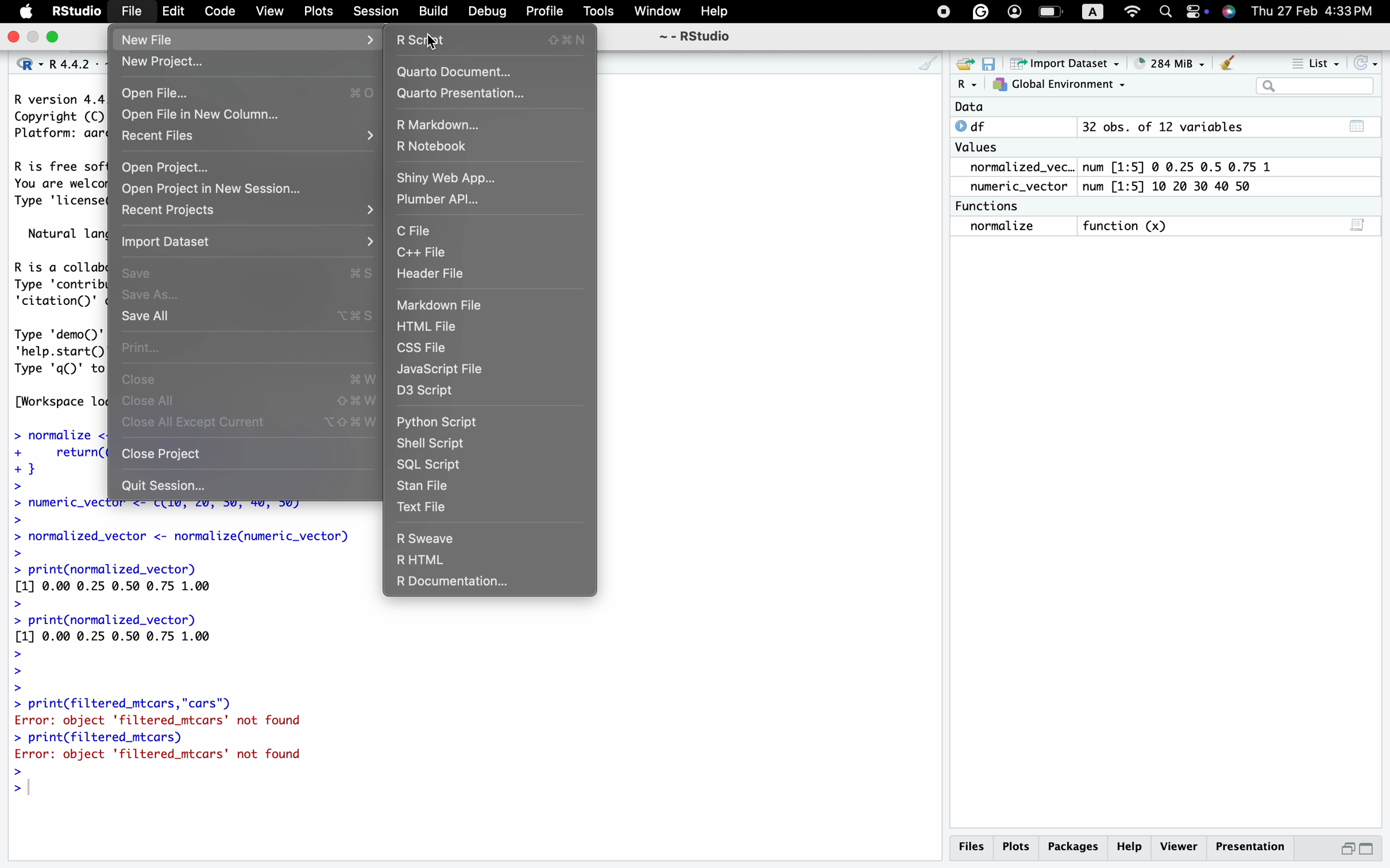 This screenshot has width=1390, height=868. I want to click on Open File in New Column..., so click(203, 114).